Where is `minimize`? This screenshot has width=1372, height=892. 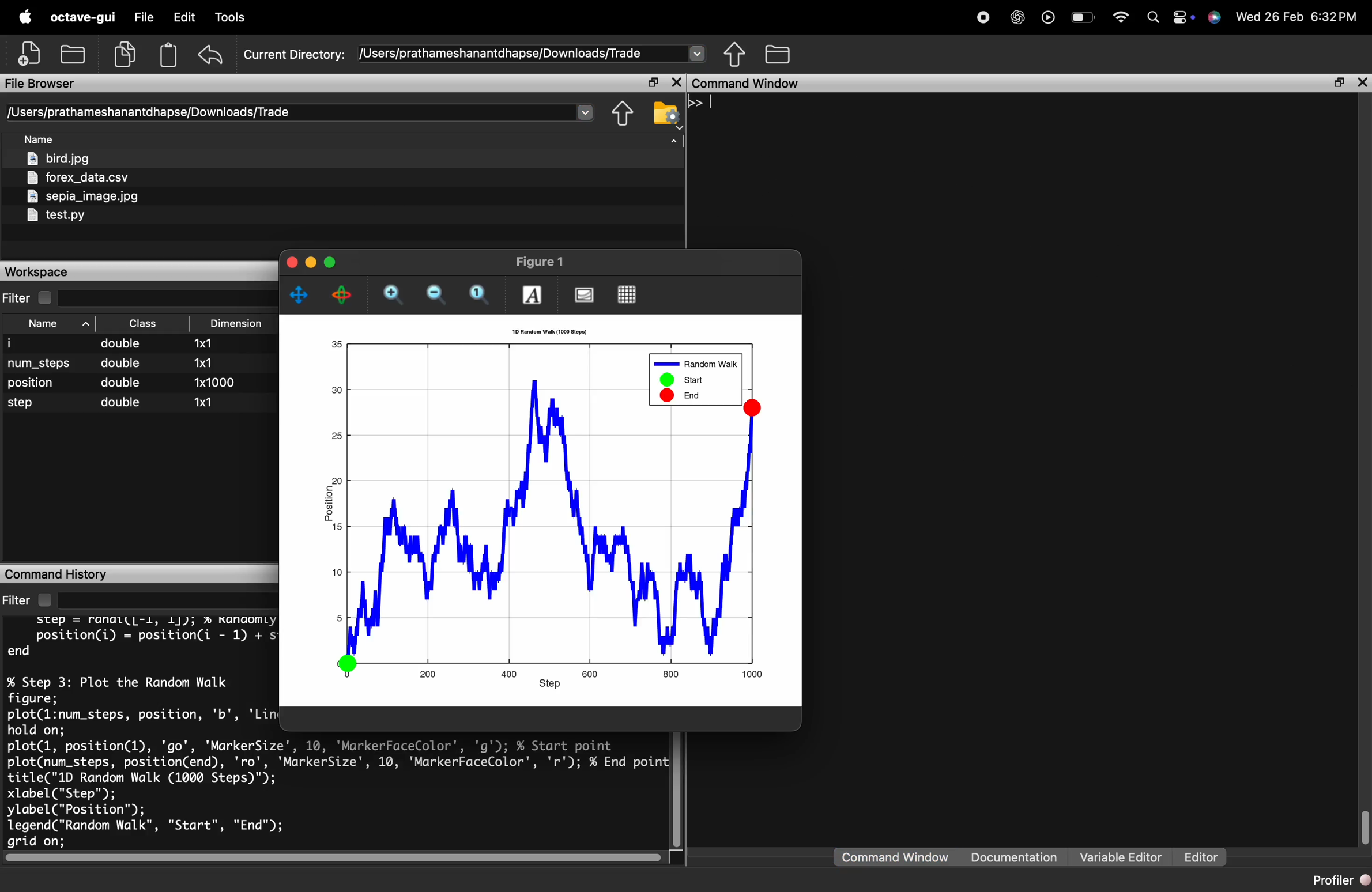 minimize is located at coordinates (311, 262).